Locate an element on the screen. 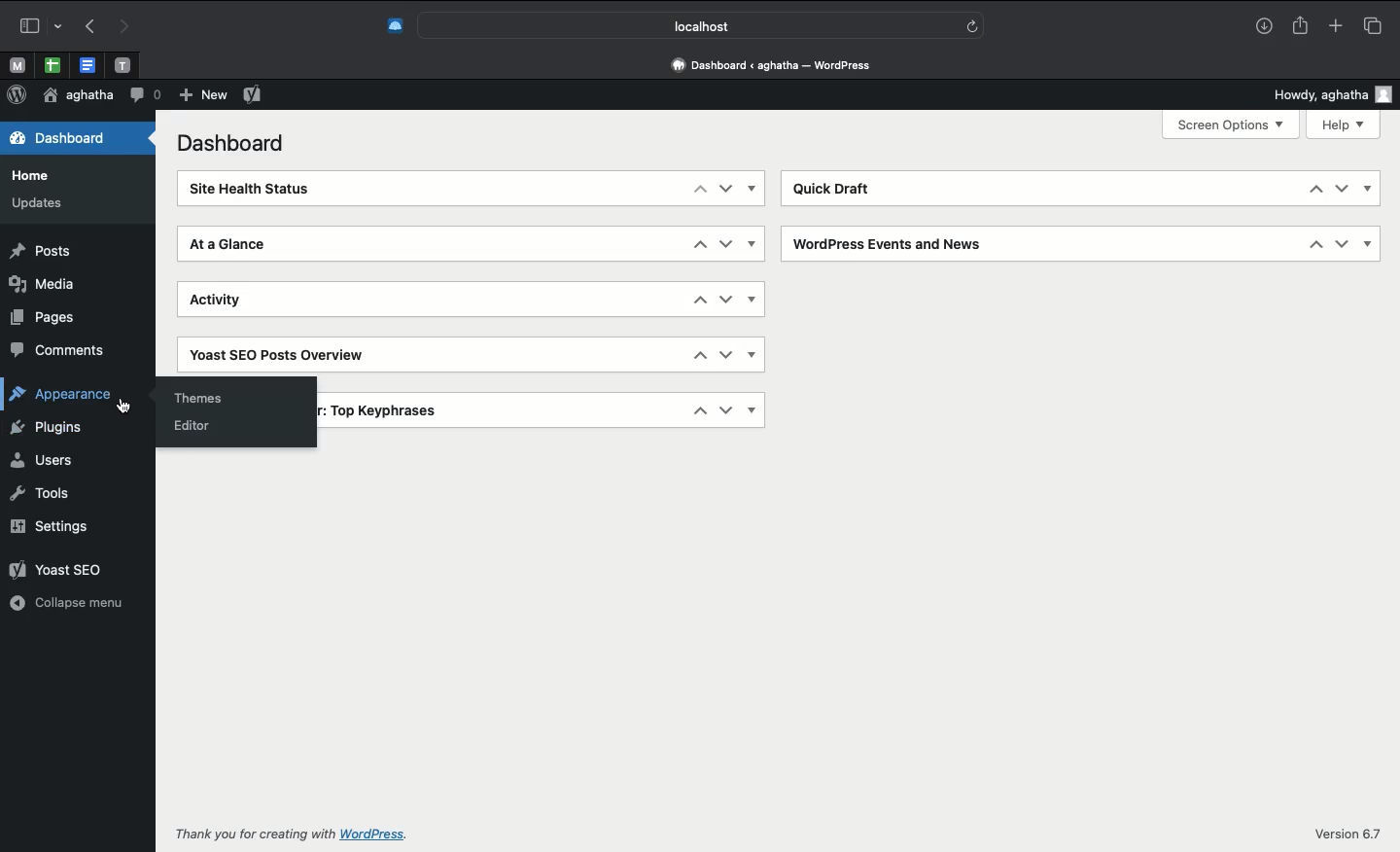 Image resolution: width=1400 pixels, height=852 pixels. Address is located at coordinates (768, 66).